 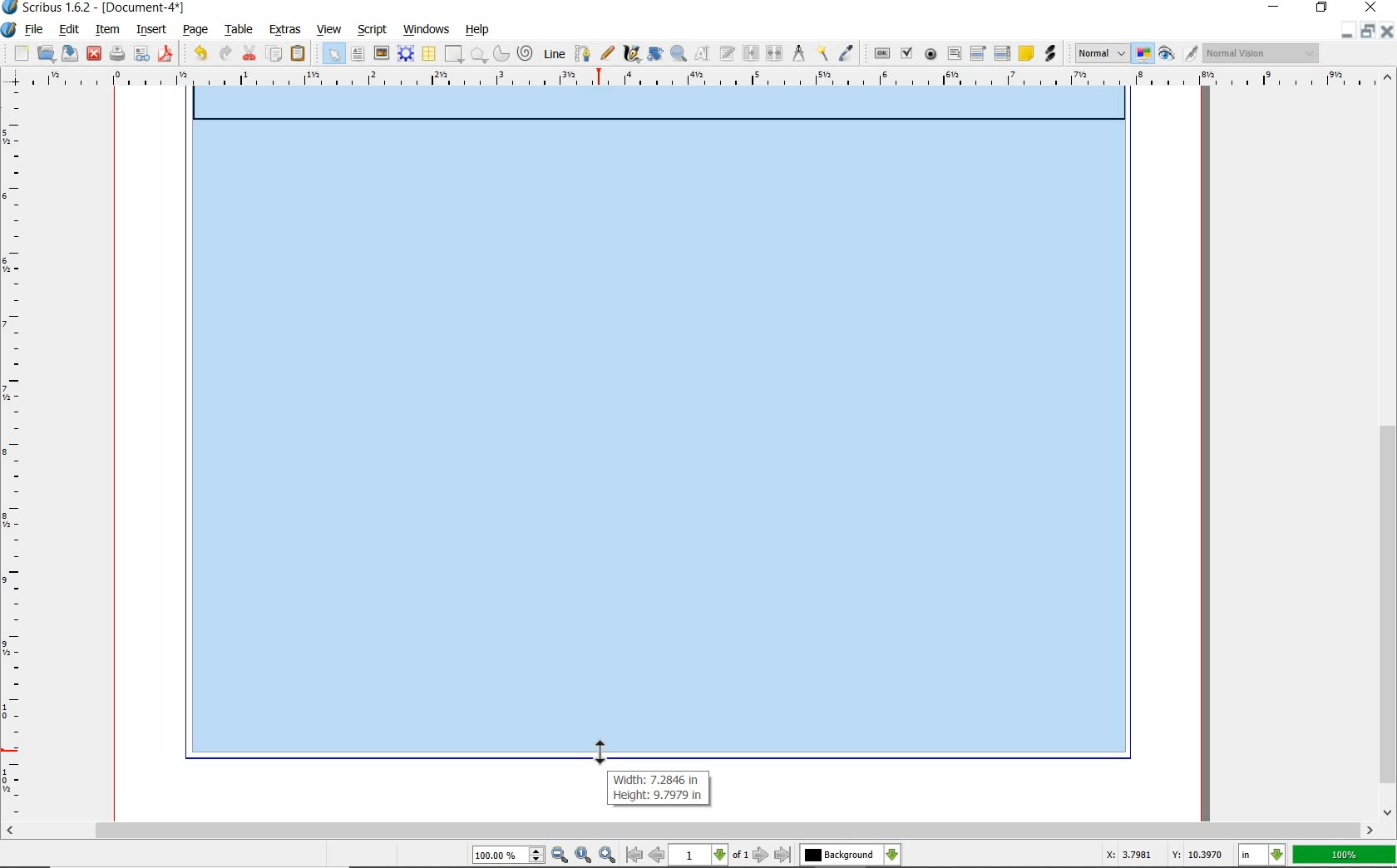 I want to click on rotate item, so click(x=654, y=55).